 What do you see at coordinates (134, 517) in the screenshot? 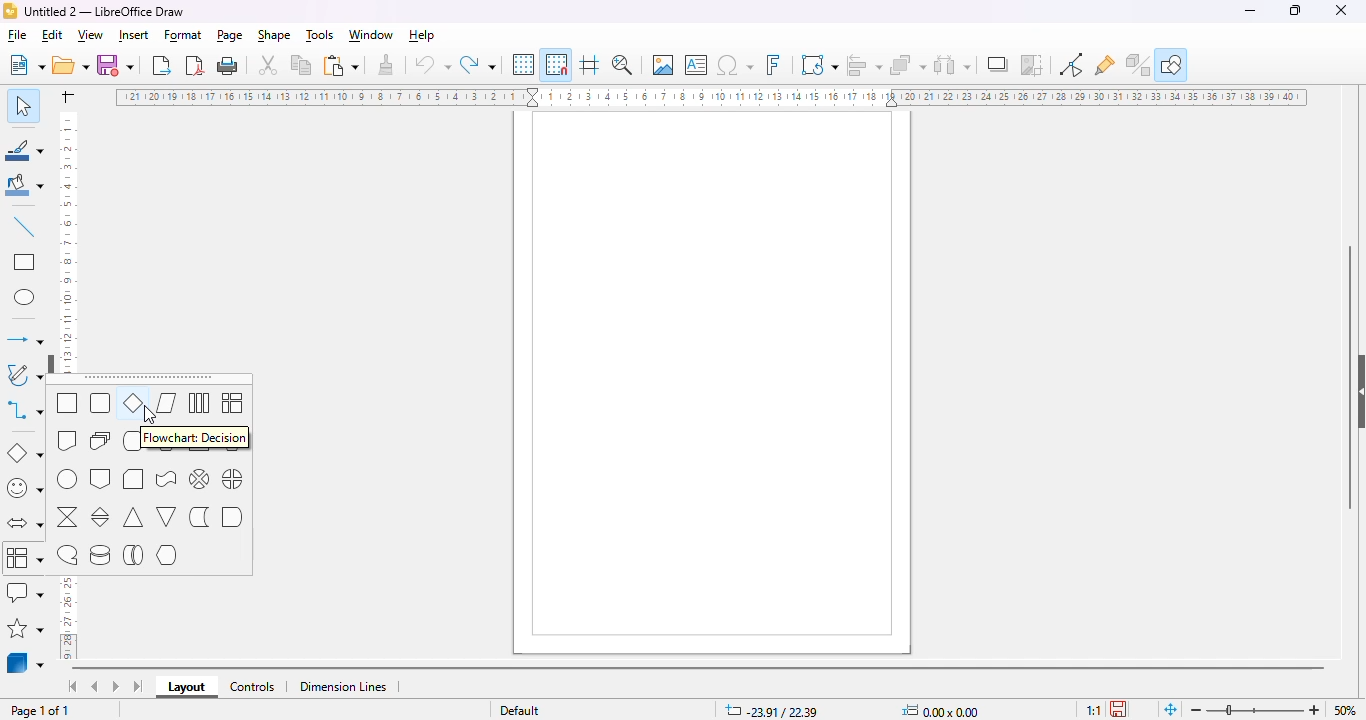
I see `flowchart: extract` at bounding box center [134, 517].